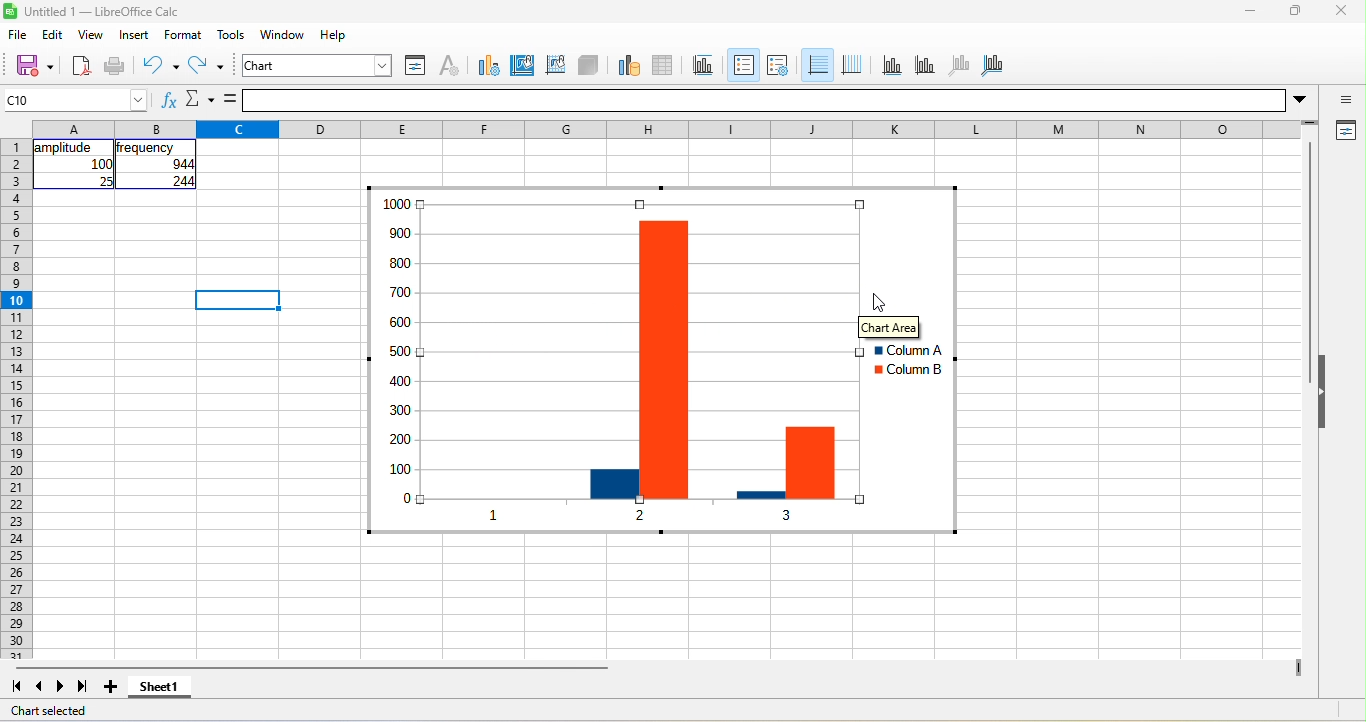 Image resolution: width=1366 pixels, height=722 pixels. Describe the element at coordinates (1340, 13) in the screenshot. I see `close` at that location.